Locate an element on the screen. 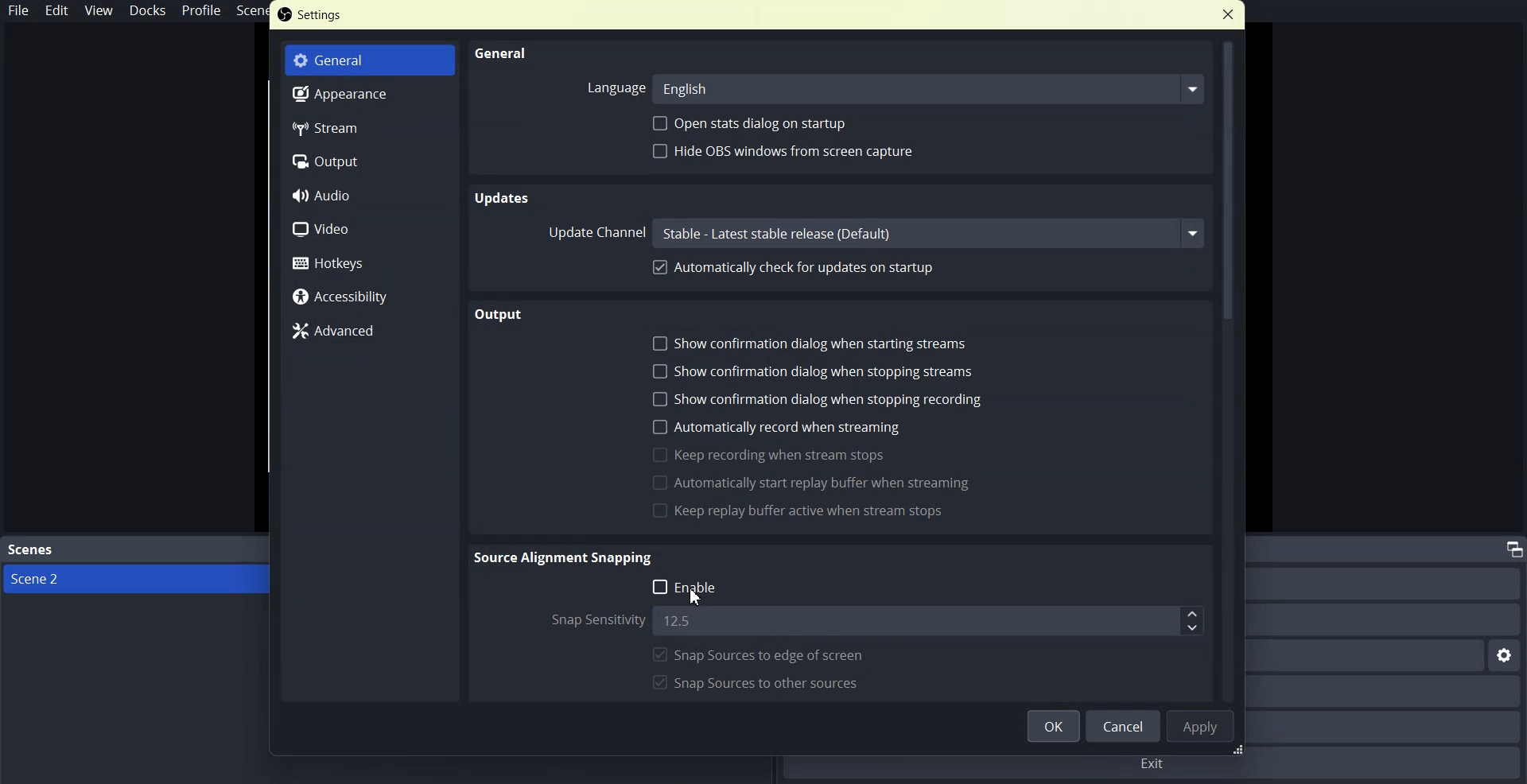 The height and width of the screenshot is (784, 1527). Update channel is located at coordinates (597, 236).